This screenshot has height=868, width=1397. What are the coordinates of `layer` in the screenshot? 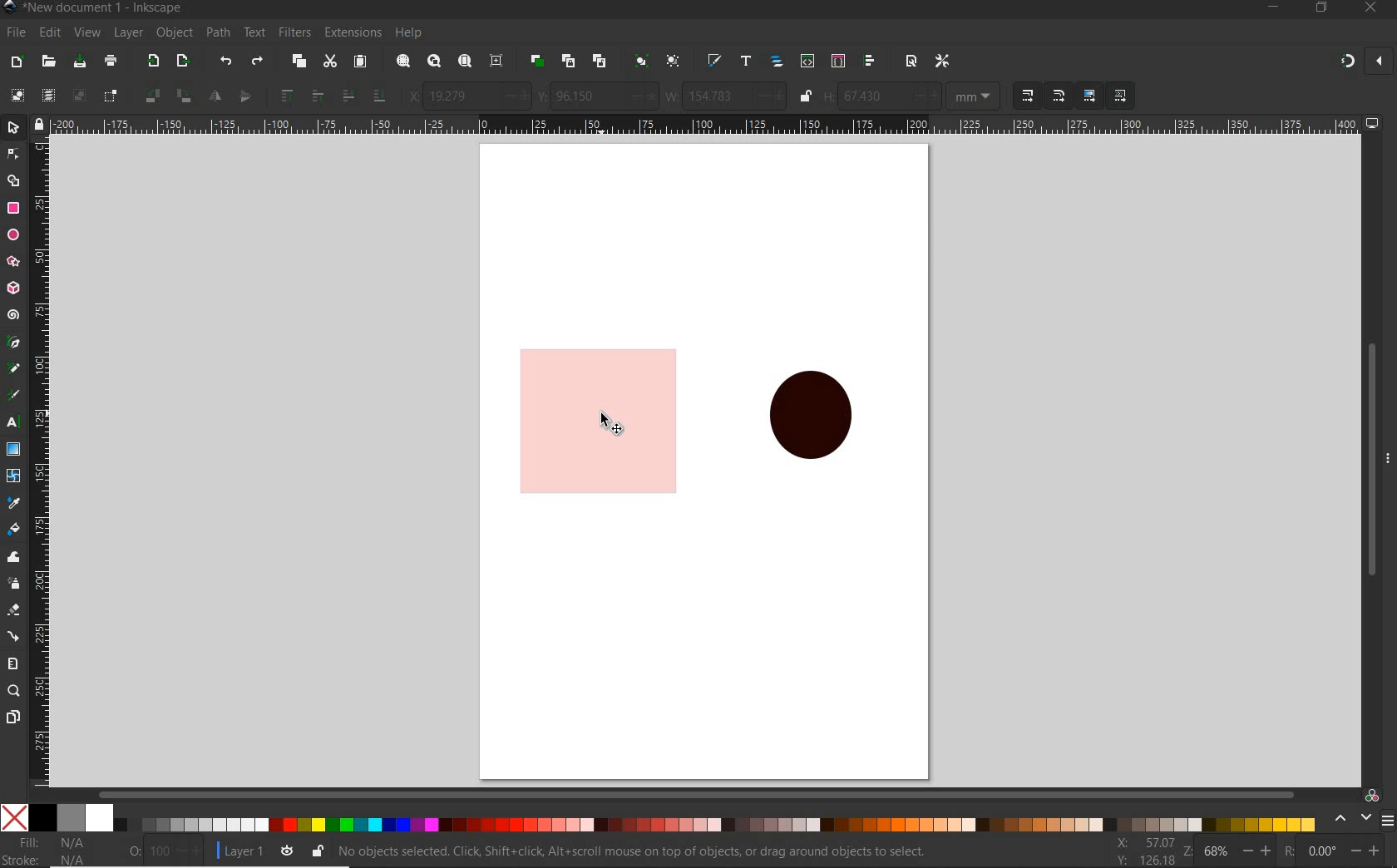 It's located at (129, 32).